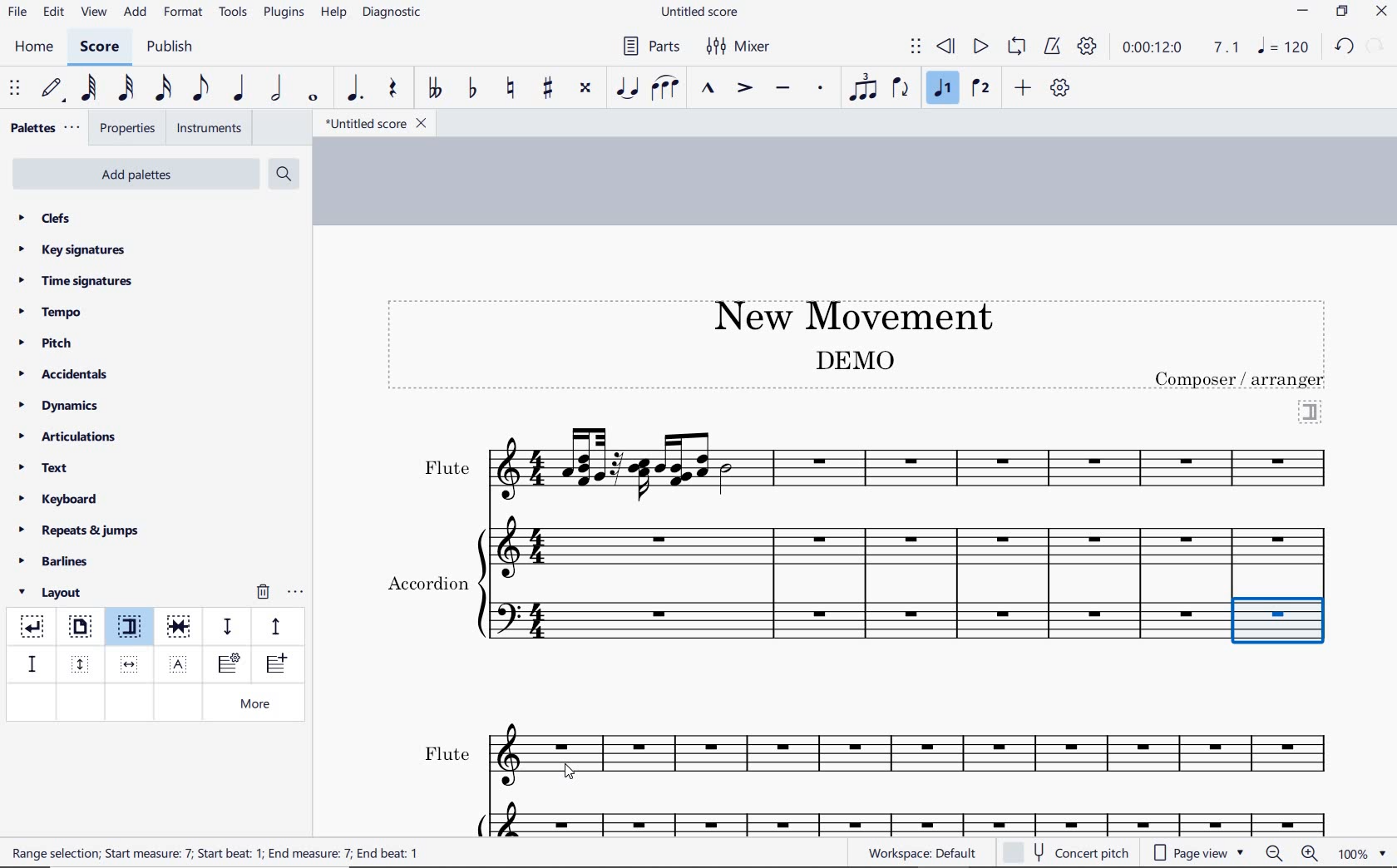 Image resolution: width=1397 pixels, height=868 pixels. What do you see at coordinates (1068, 851) in the screenshot?
I see `concert pitch` at bounding box center [1068, 851].